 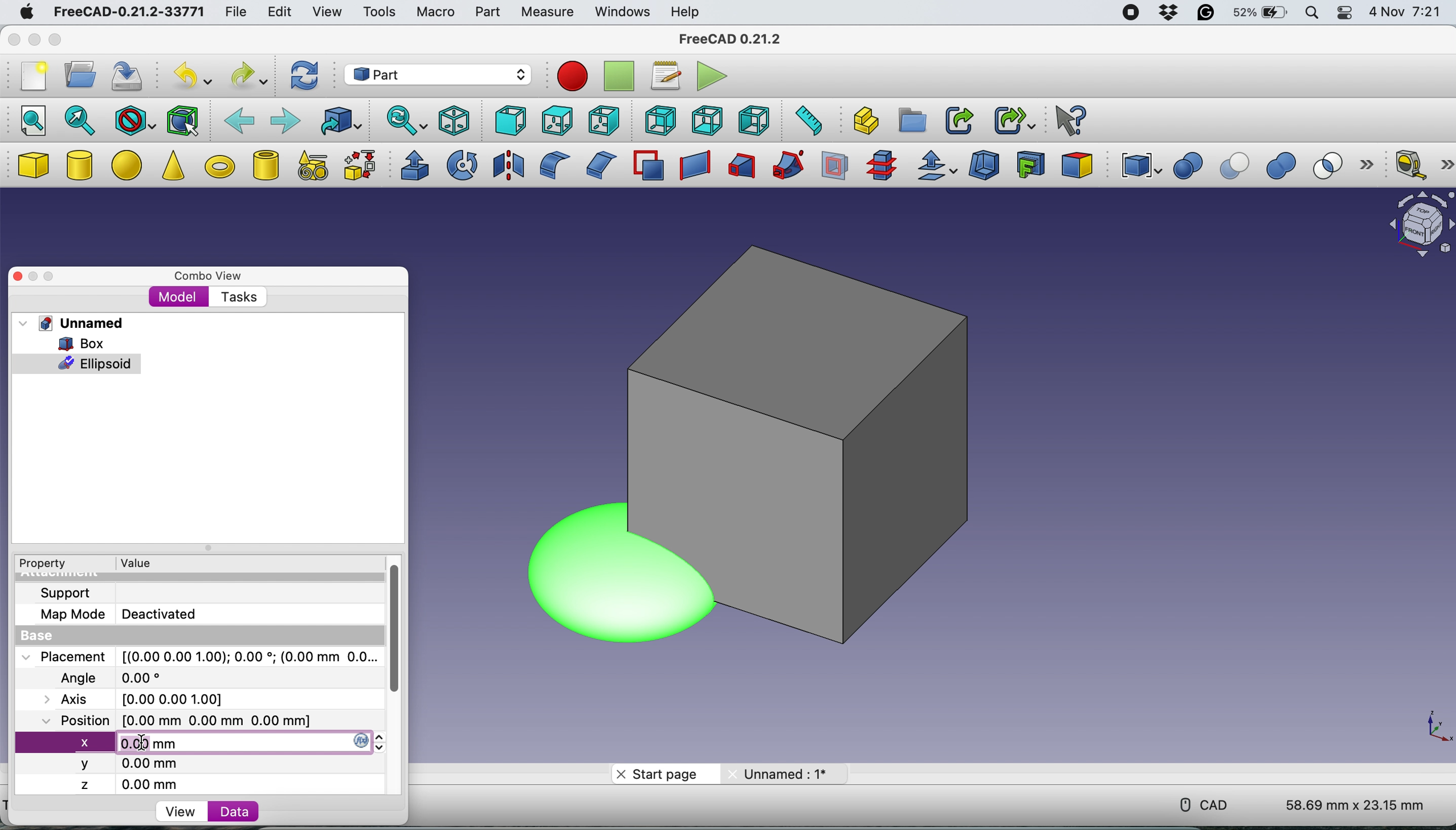 I want to click on cross section, so click(x=882, y=166).